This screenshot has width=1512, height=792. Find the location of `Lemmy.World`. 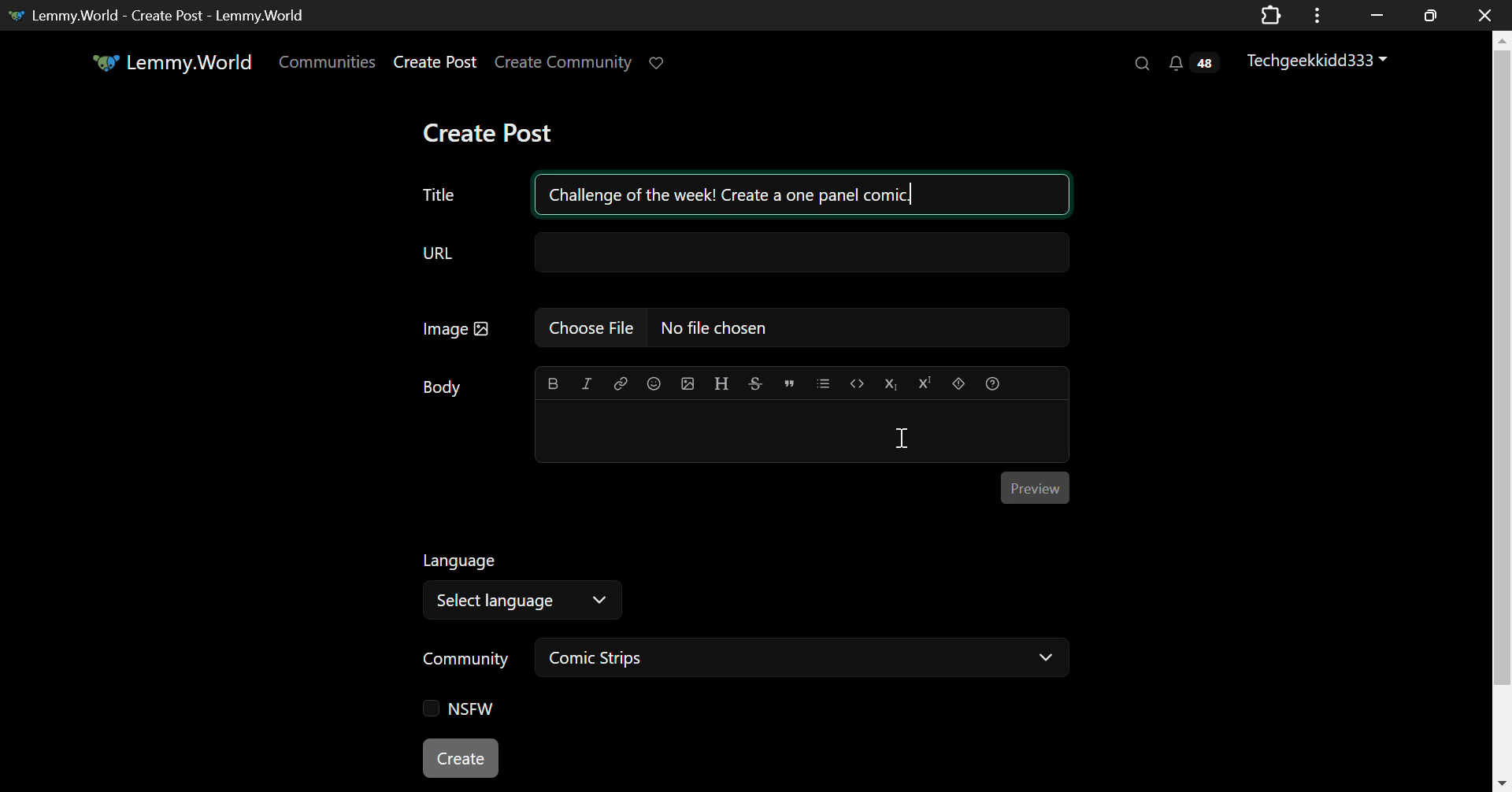

Lemmy.World is located at coordinates (172, 65).